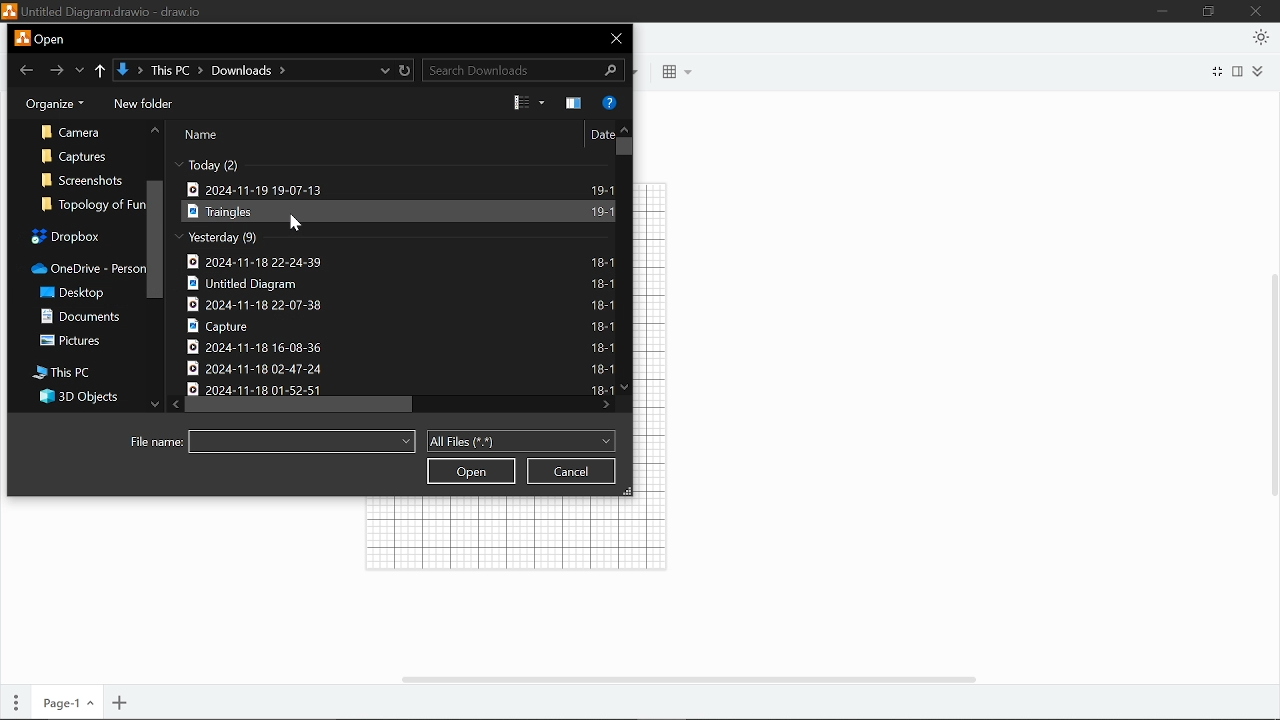  I want to click on Appearence, so click(1258, 37).